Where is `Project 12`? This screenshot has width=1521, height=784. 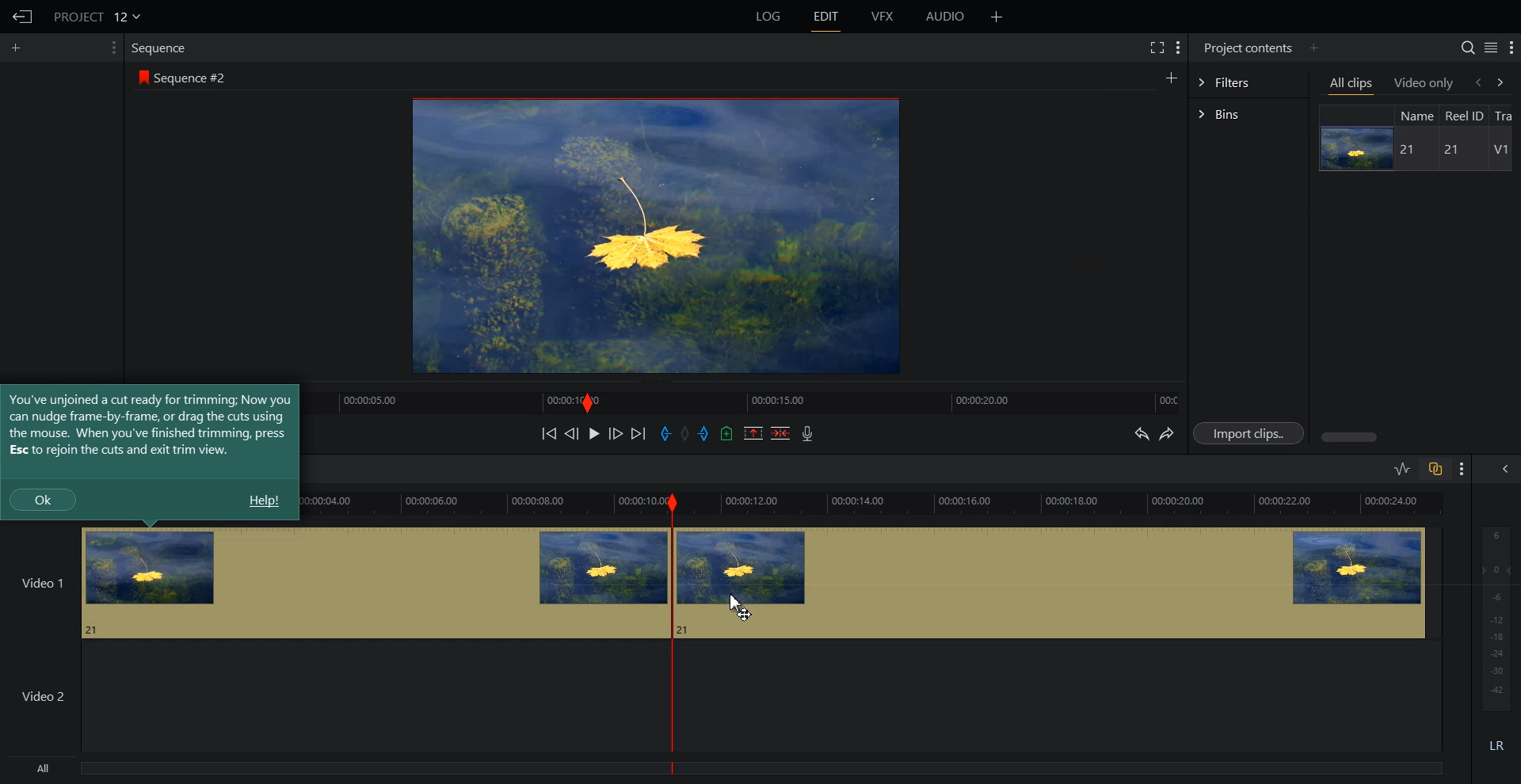
Project 12 is located at coordinates (96, 15).